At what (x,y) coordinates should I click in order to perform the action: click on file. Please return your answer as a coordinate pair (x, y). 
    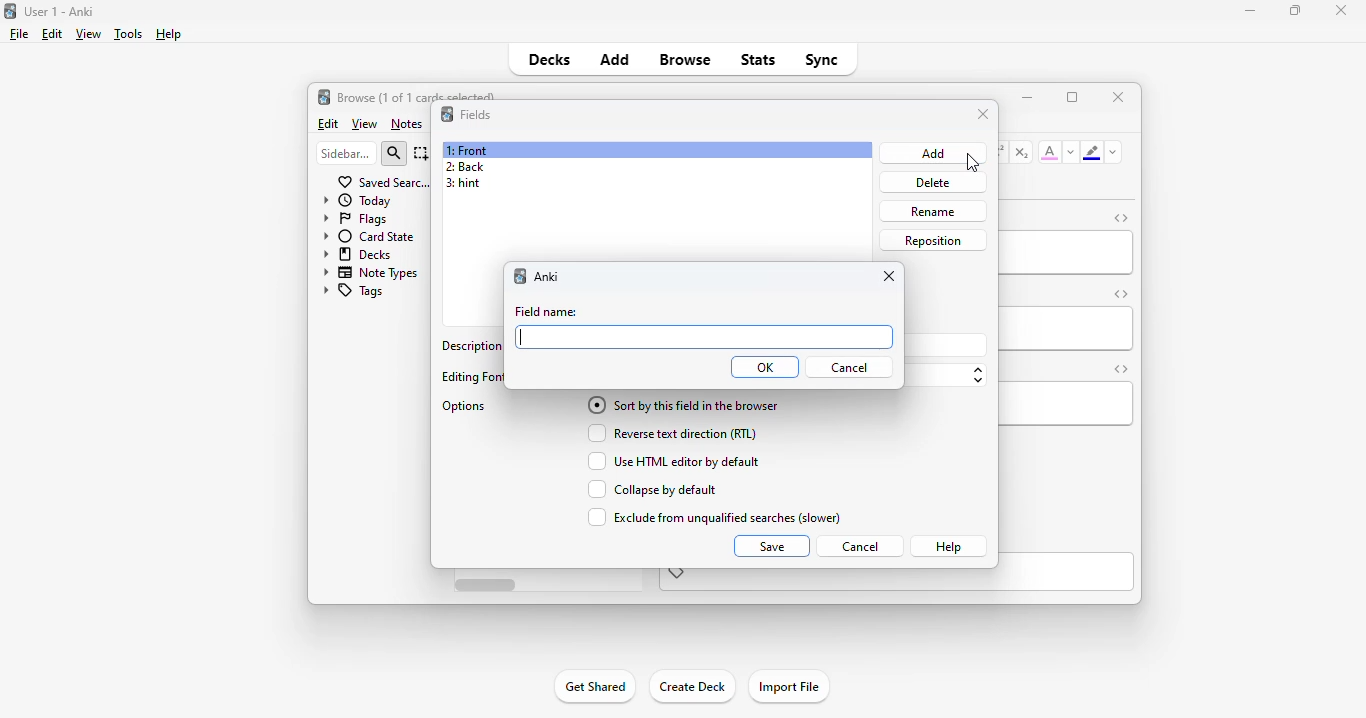
    Looking at the image, I should click on (19, 34).